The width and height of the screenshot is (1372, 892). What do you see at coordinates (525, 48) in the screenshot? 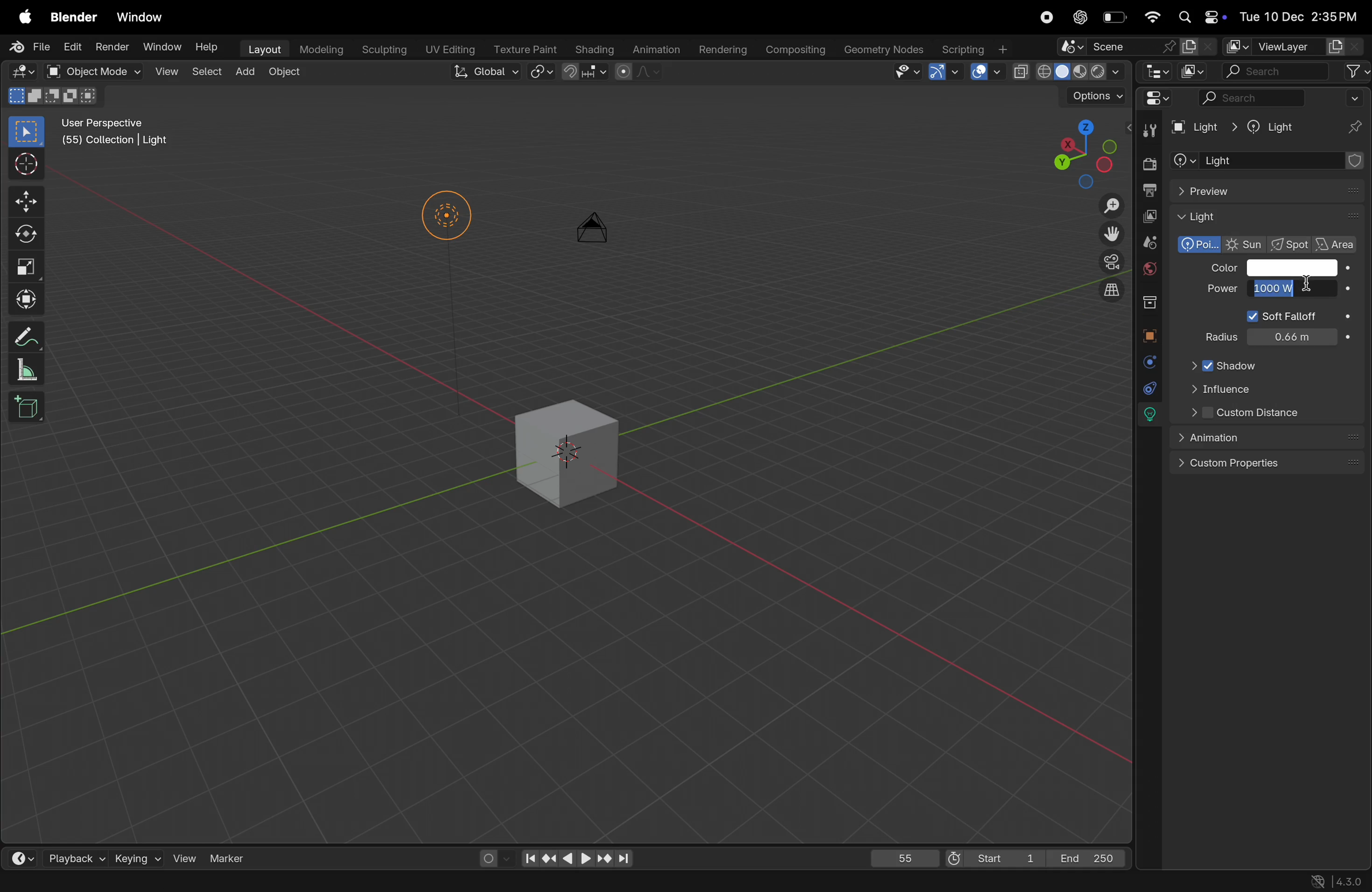
I see `Texture paint` at bounding box center [525, 48].